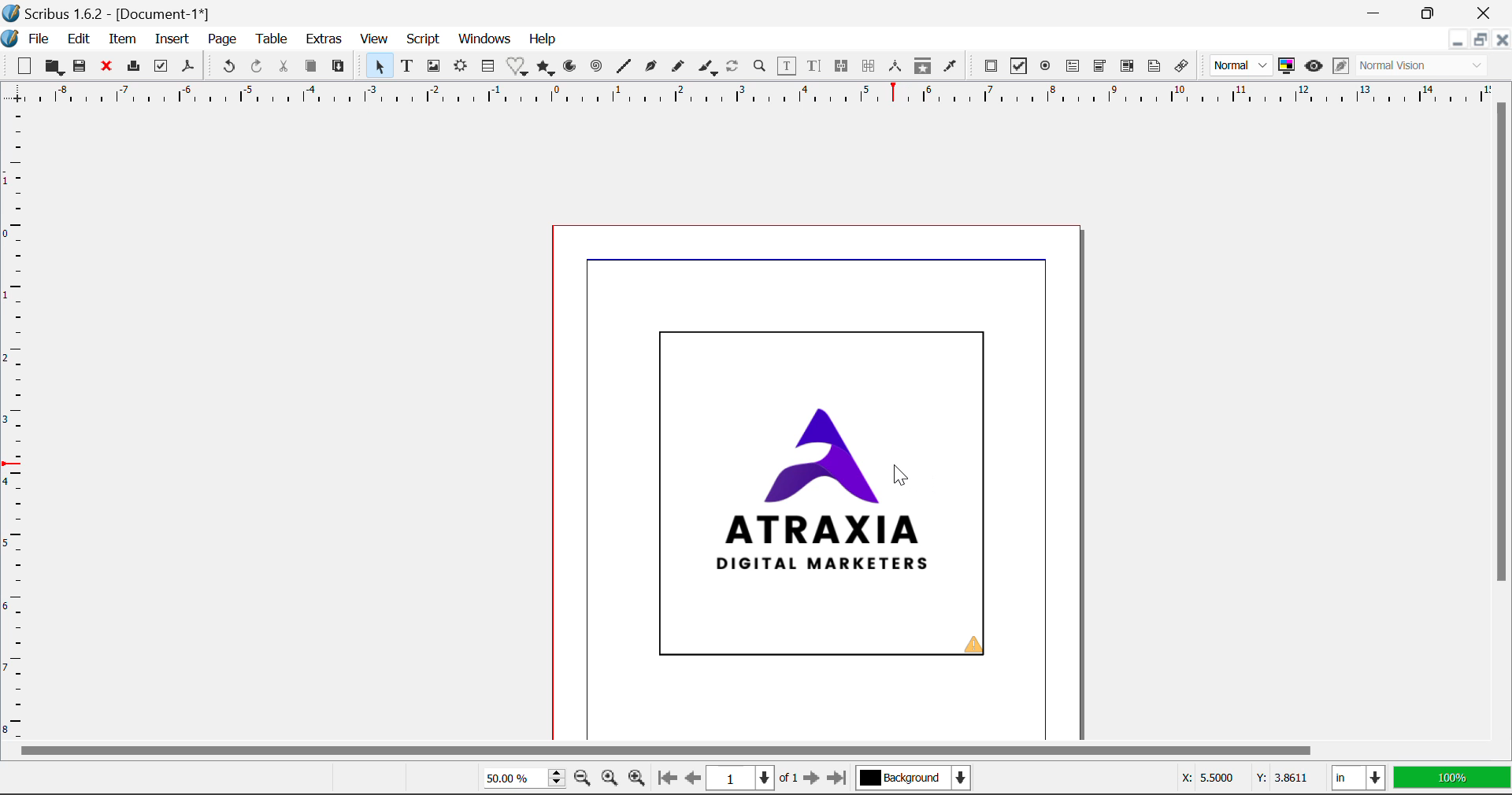 This screenshot has width=1512, height=795. Describe the element at coordinates (462, 68) in the screenshot. I see `Render Frame` at that location.